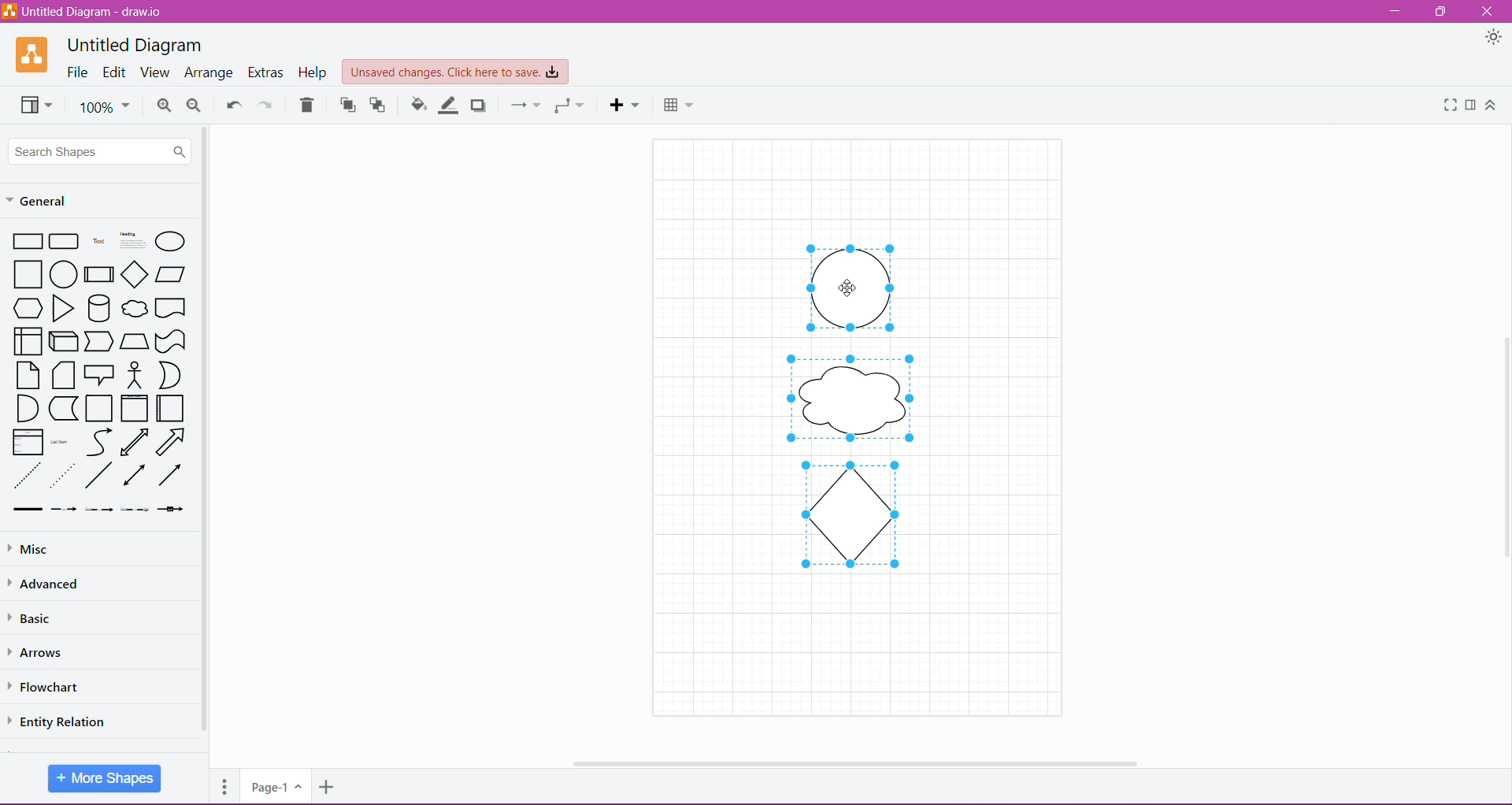 The width and height of the screenshot is (1512, 805). What do you see at coordinates (101, 150) in the screenshot?
I see `Search Shapes` at bounding box center [101, 150].